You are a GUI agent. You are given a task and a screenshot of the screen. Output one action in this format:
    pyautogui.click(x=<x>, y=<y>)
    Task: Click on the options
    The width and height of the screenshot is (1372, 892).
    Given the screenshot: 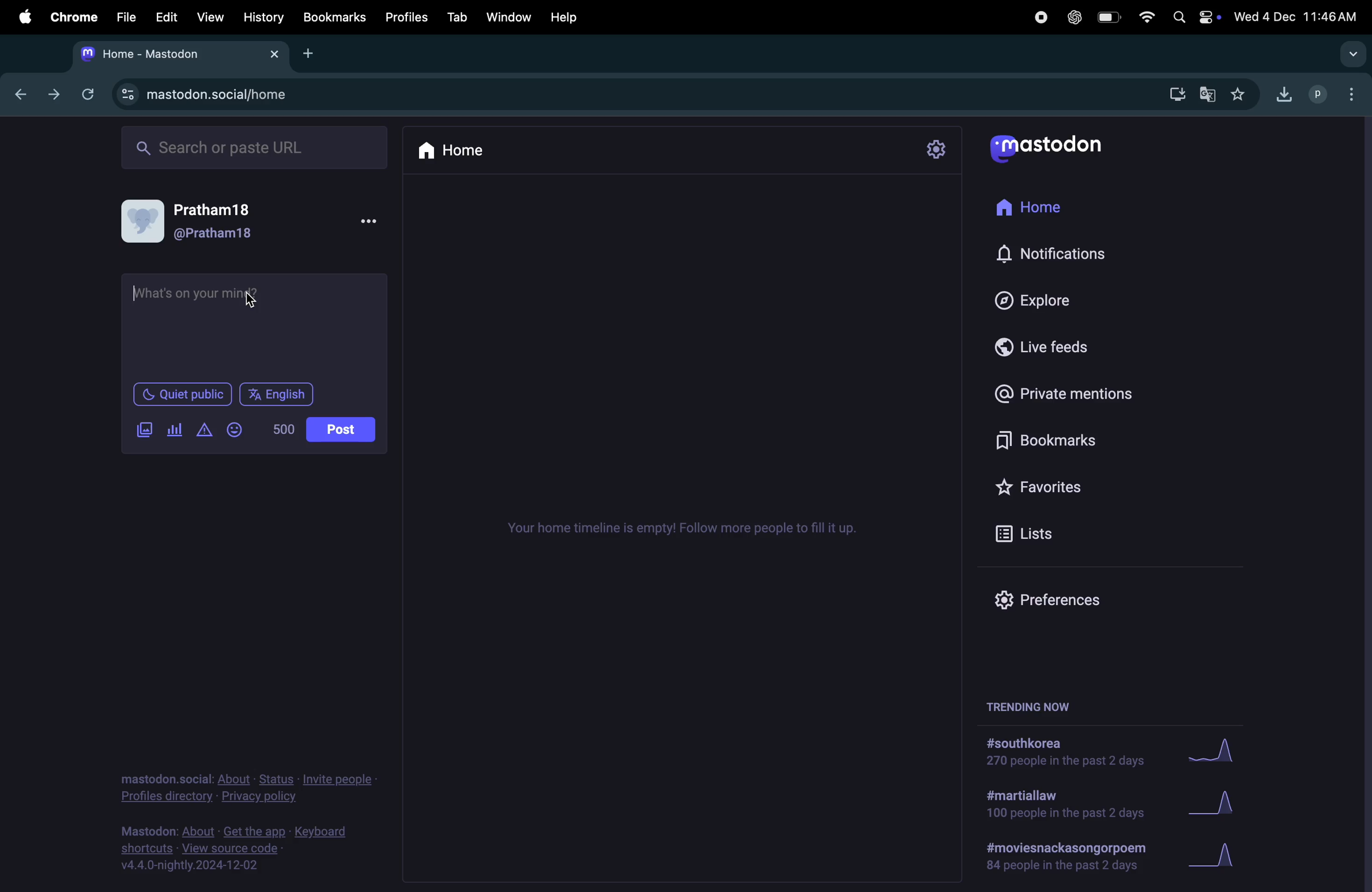 What is the action you would take?
    pyautogui.click(x=378, y=222)
    